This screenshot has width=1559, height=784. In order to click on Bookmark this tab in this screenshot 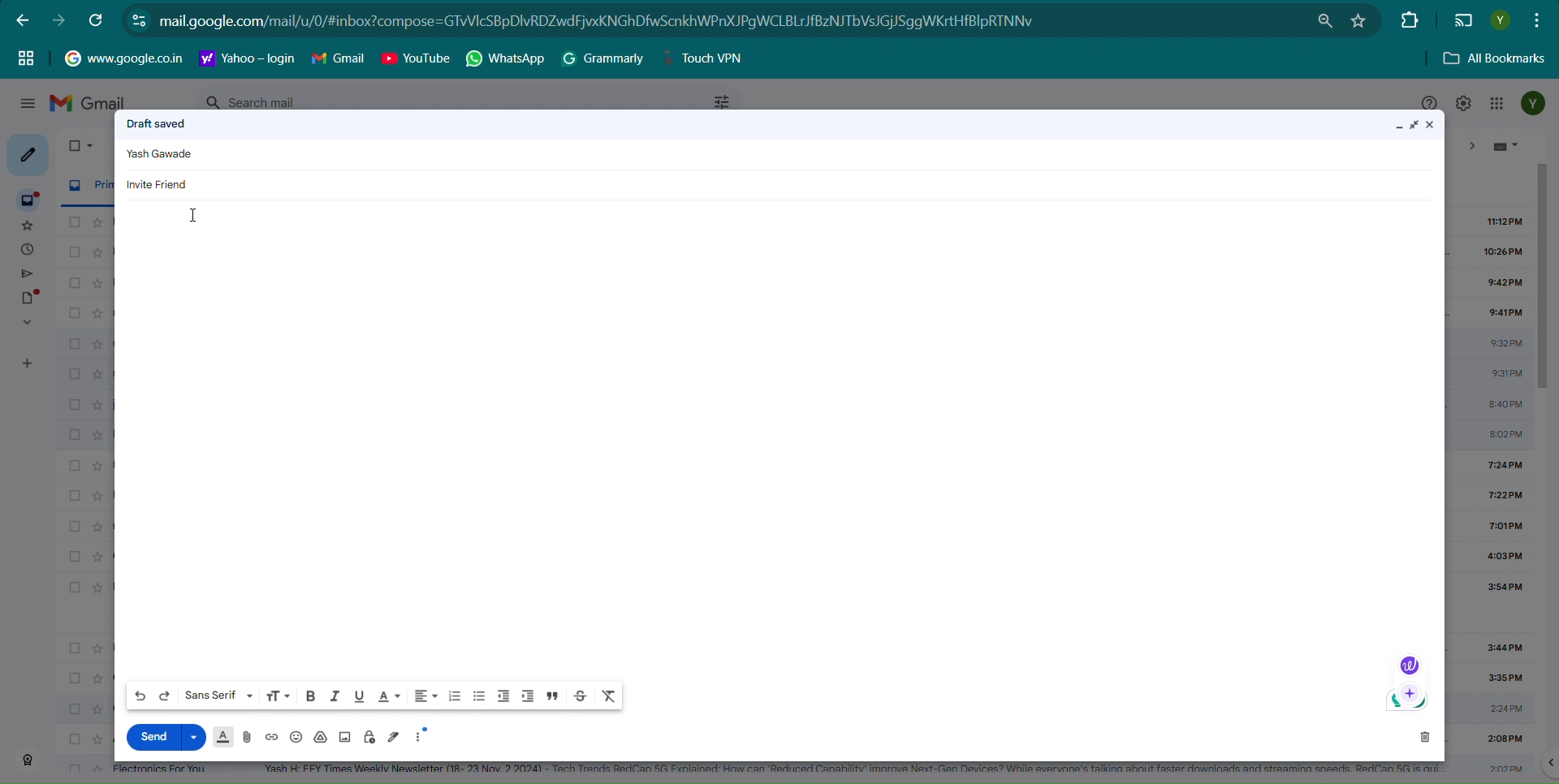, I will do `click(1358, 20)`.